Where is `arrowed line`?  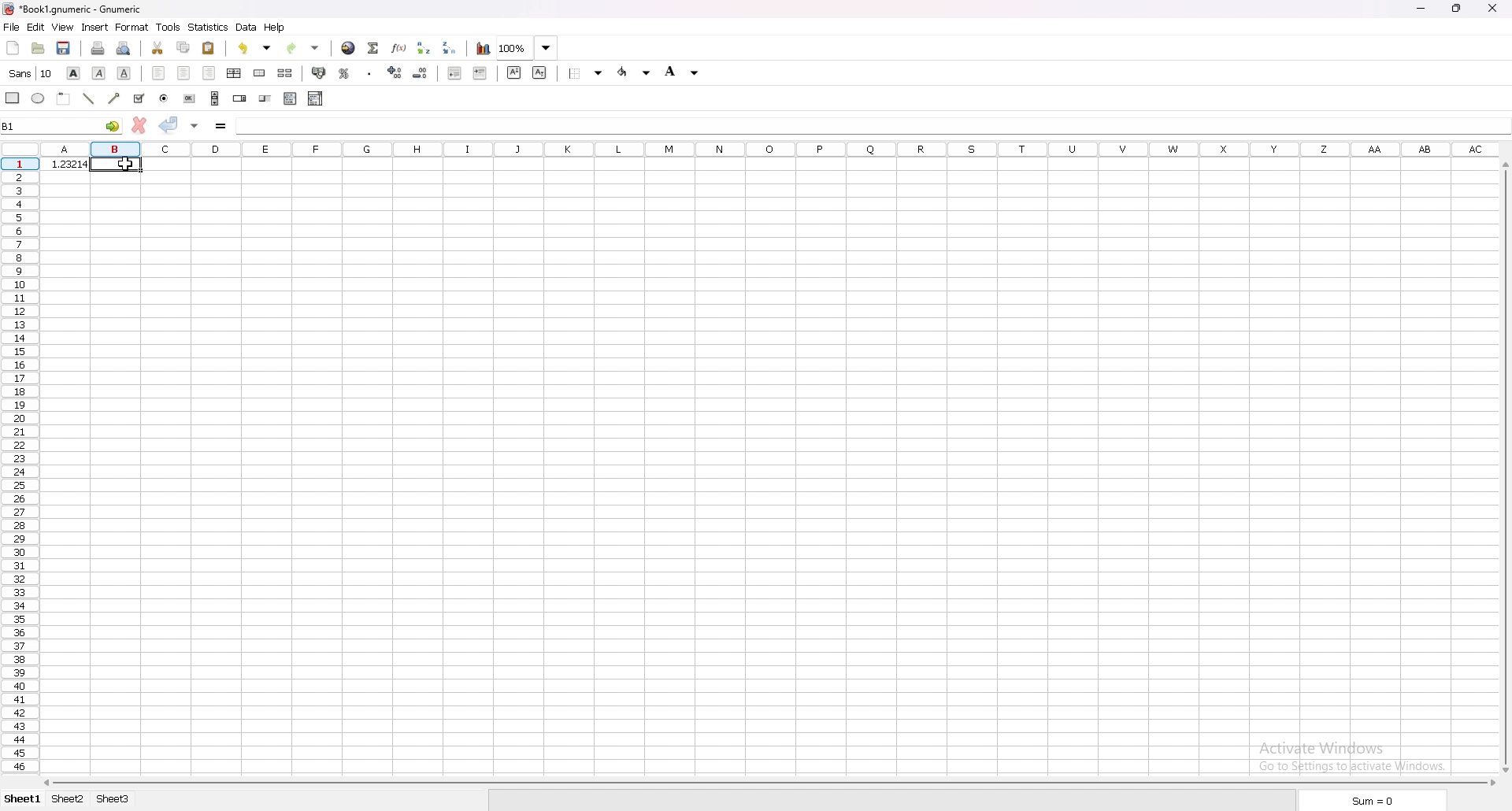
arrowed line is located at coordinates (114, 98).